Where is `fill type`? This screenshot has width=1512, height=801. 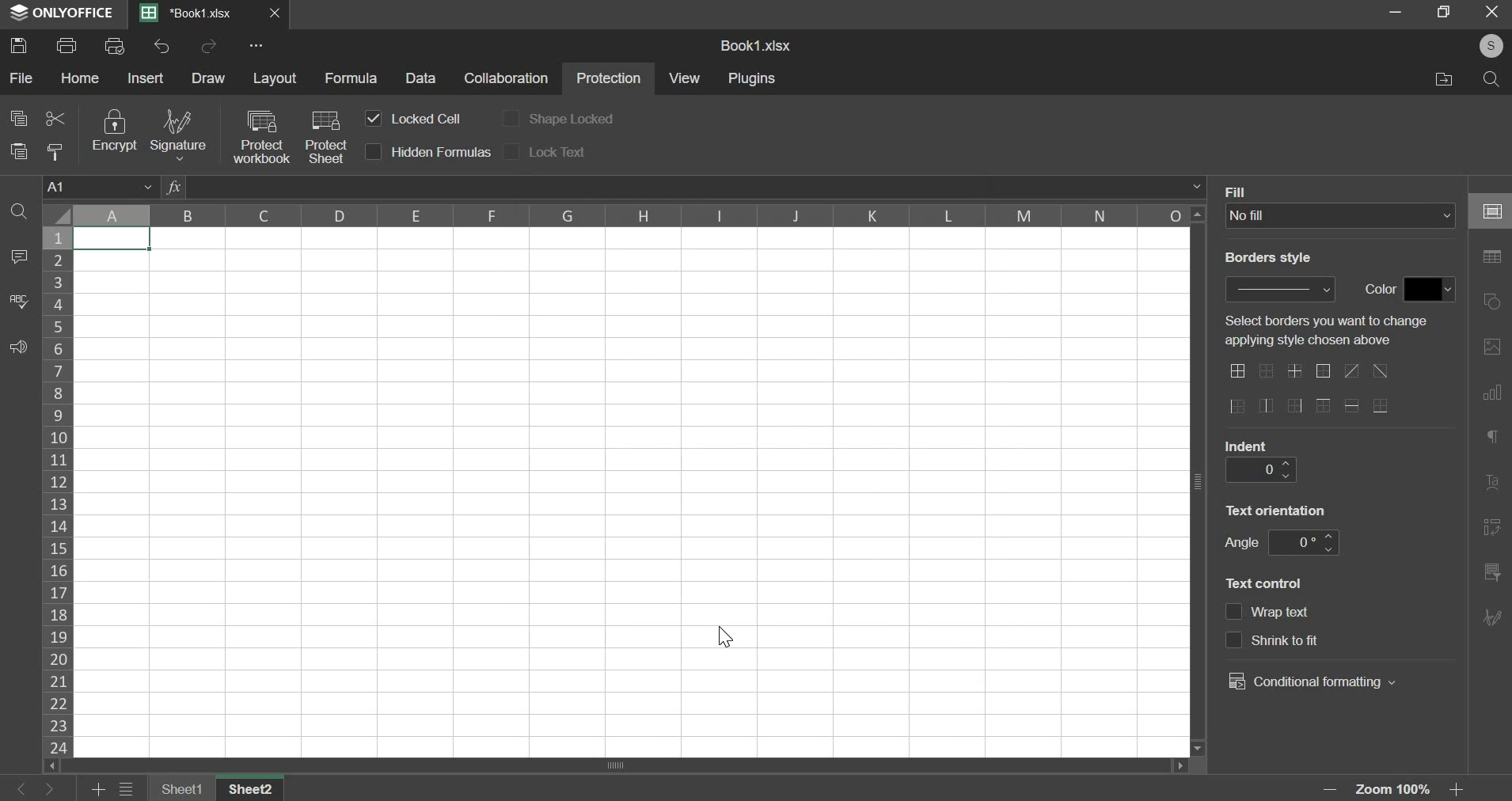
fill type is located at coordinates (1341, 216).